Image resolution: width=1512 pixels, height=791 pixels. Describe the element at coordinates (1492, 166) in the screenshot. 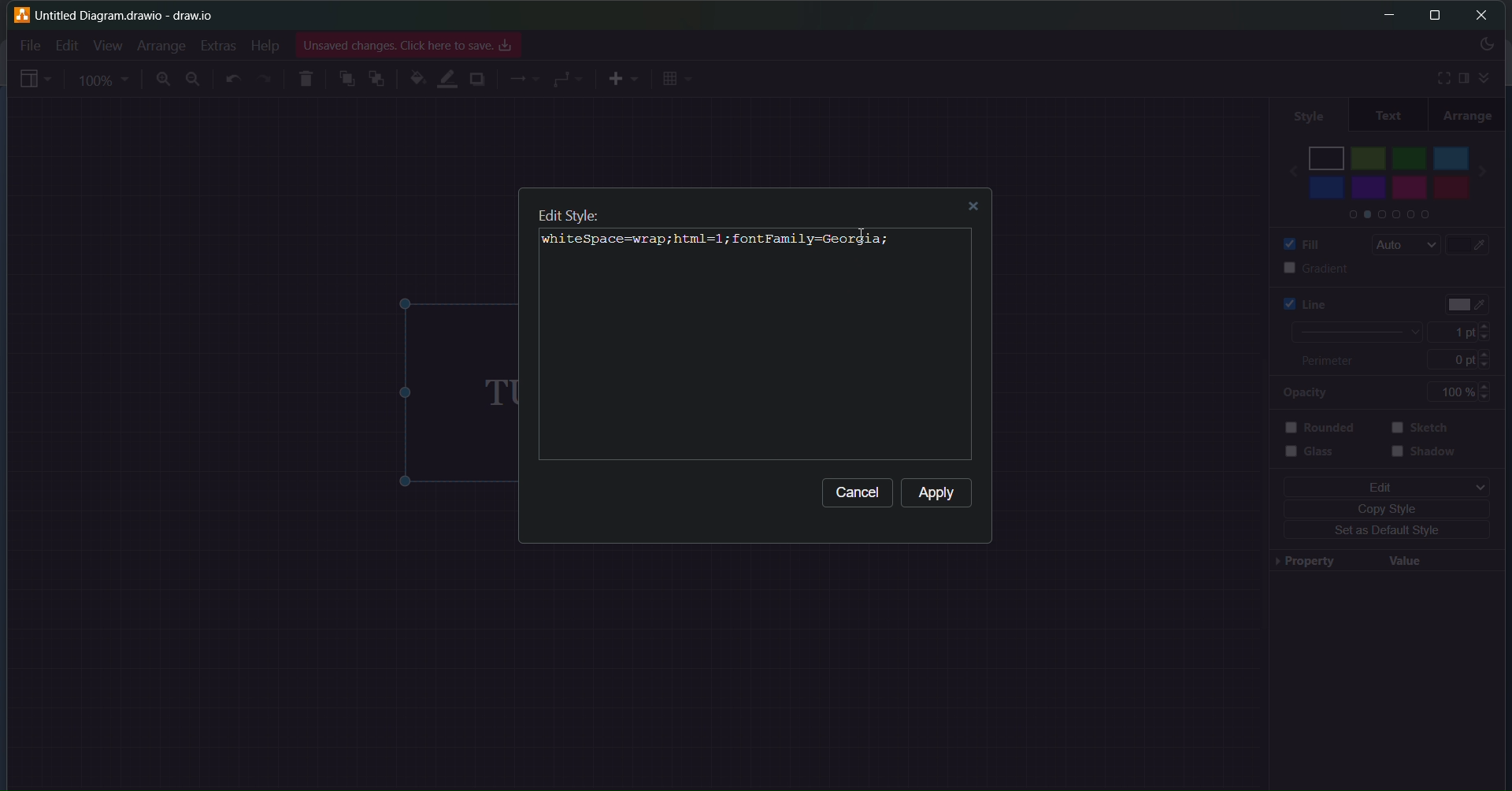

I see `next` at that location.